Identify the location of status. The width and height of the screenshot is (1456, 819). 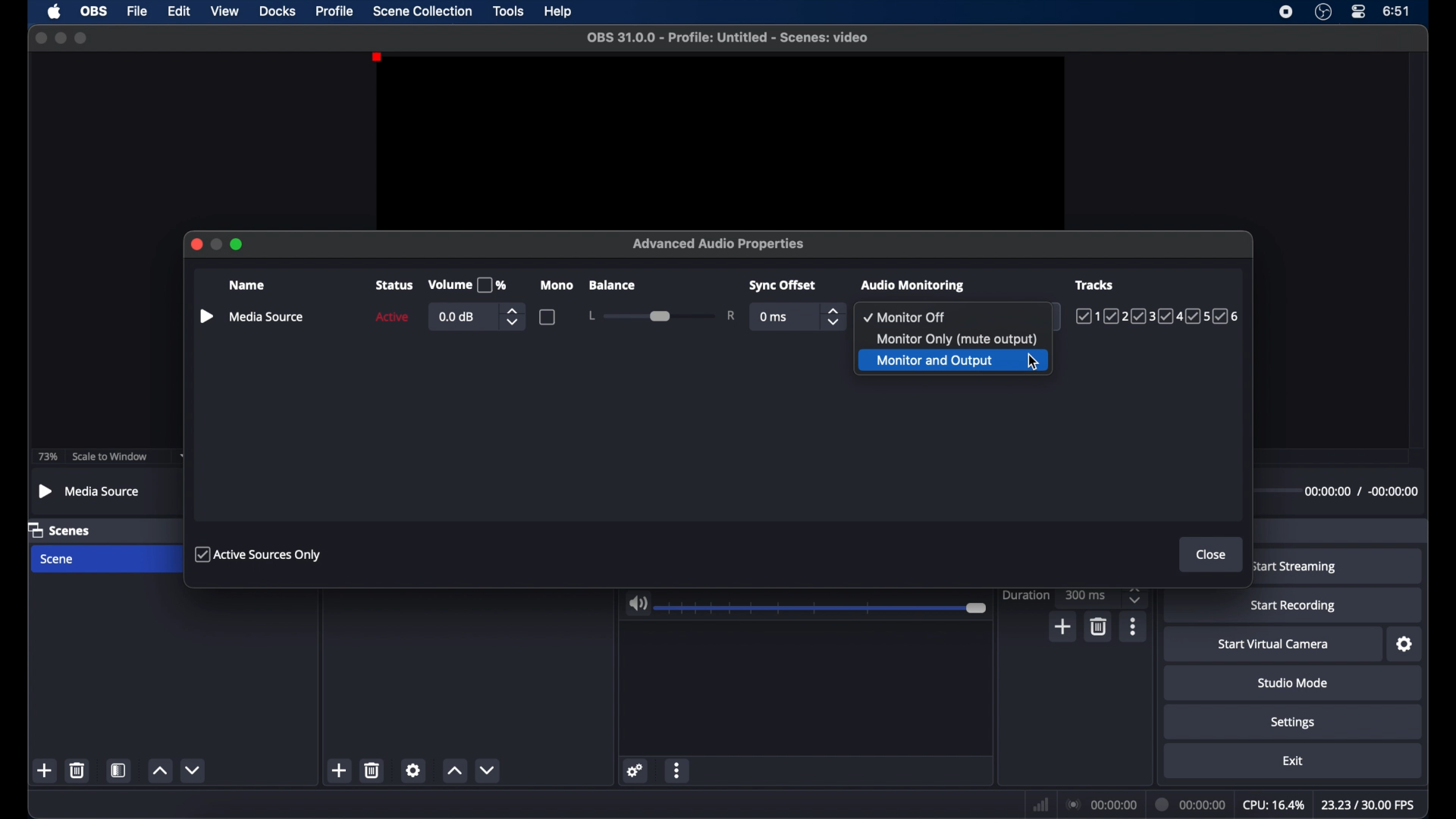
(394, 286).